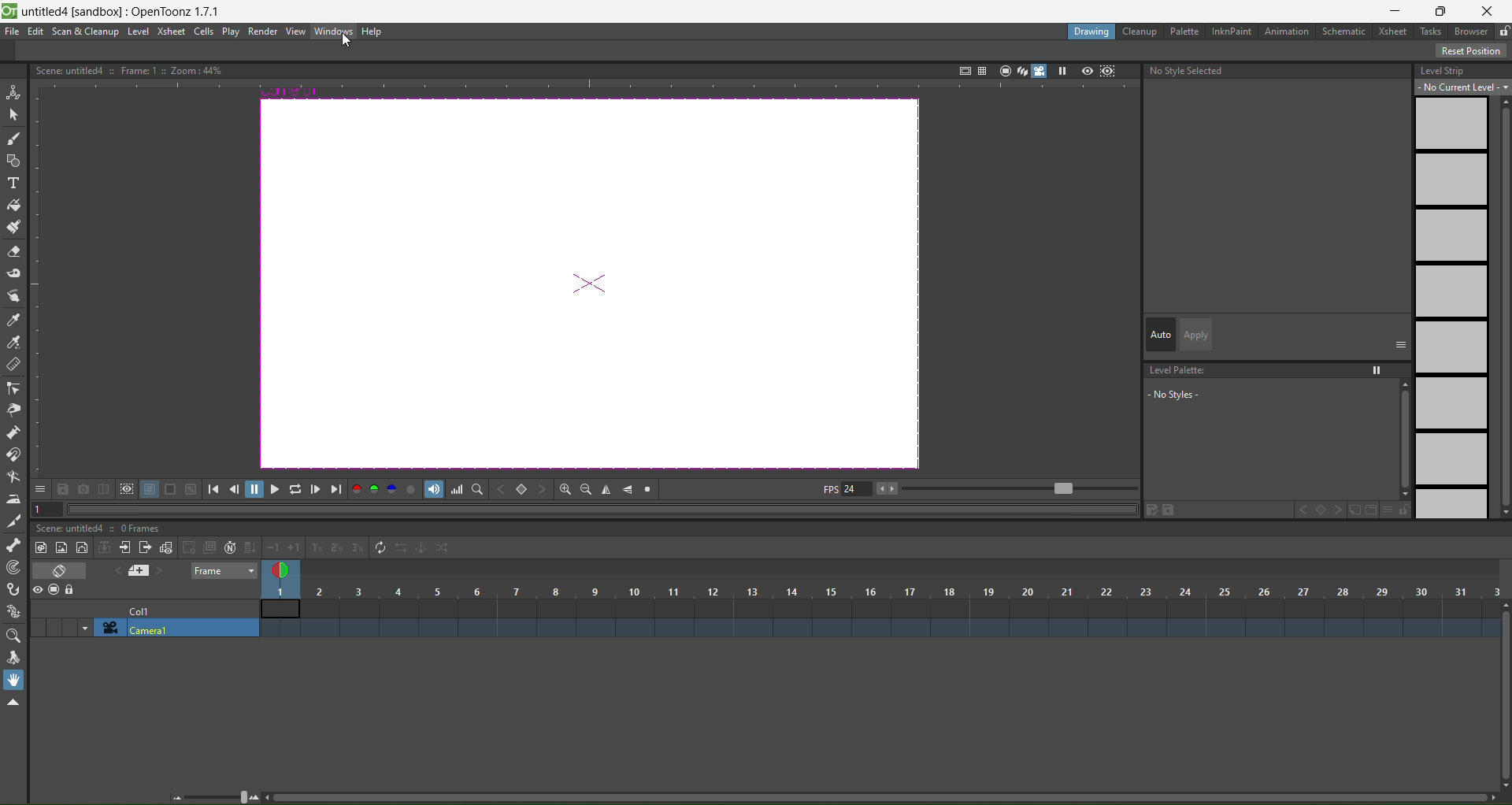 This screenshot has height=805, width=1512. I want to click on repeat, so click(376, 547).